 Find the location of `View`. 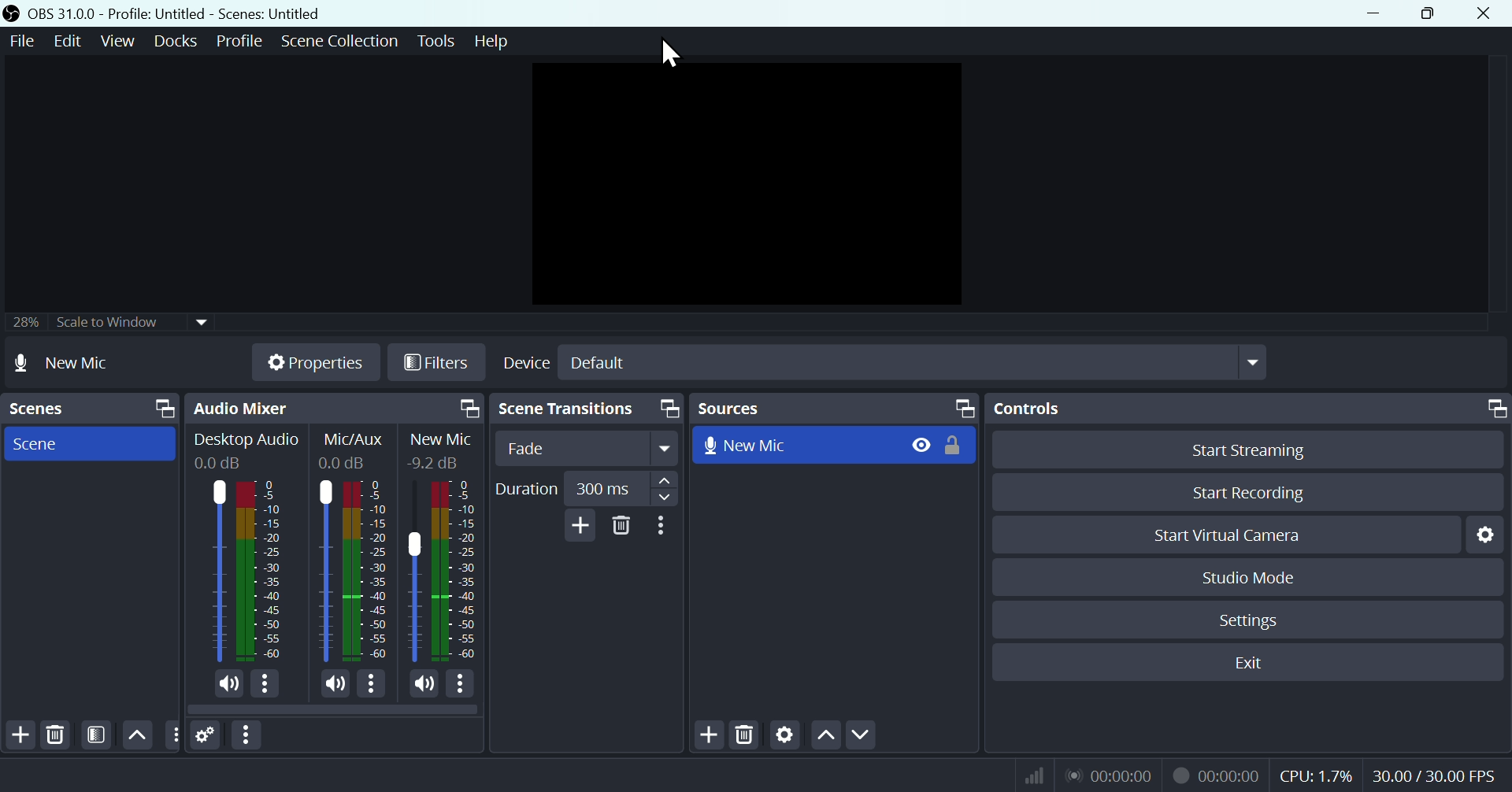

View is located at coordinates (120, 41).